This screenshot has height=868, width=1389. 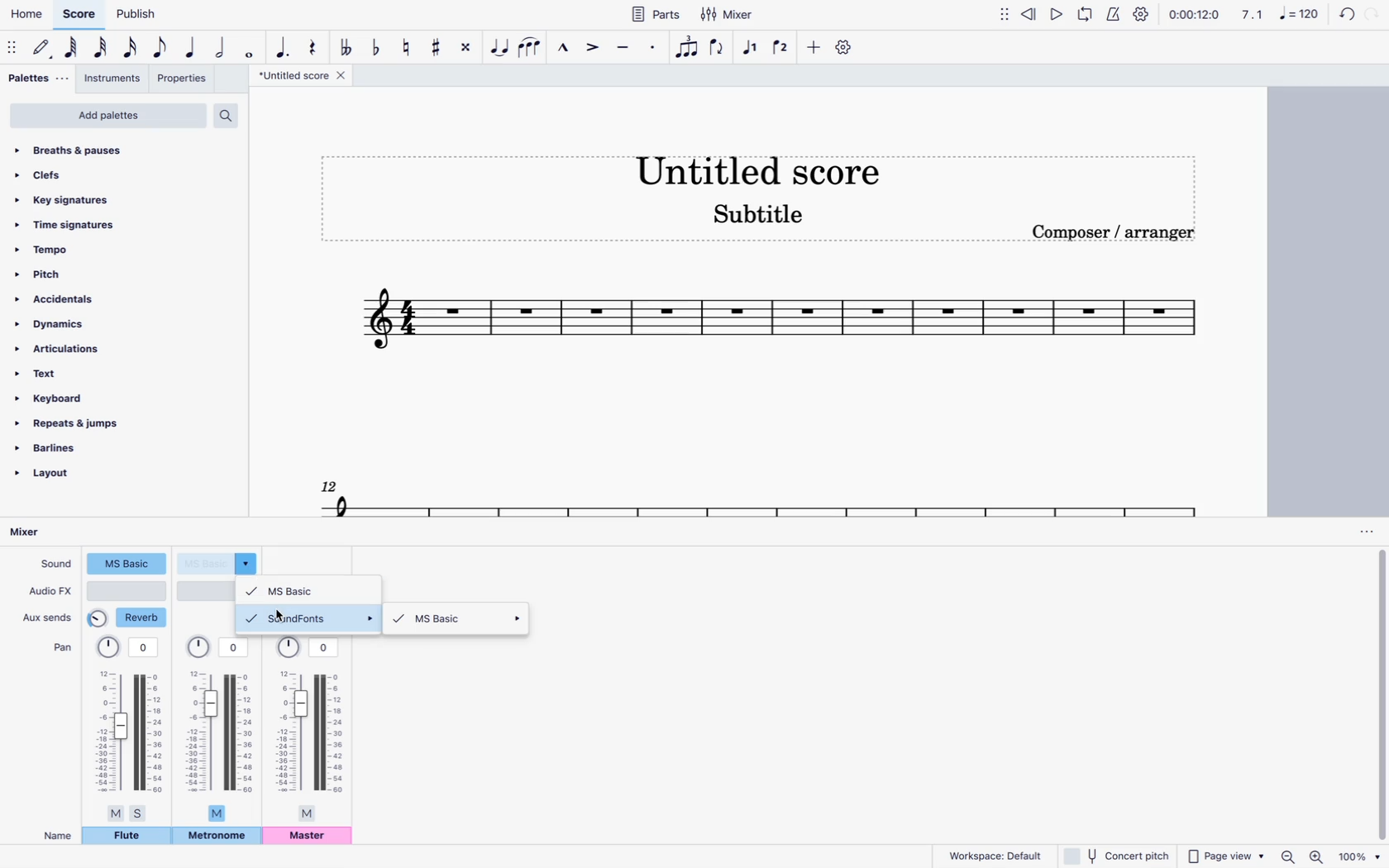 What do you see at coordinates (751, 48) in the screenshot?
I see `voice 1` at bounding box center [751, 48].